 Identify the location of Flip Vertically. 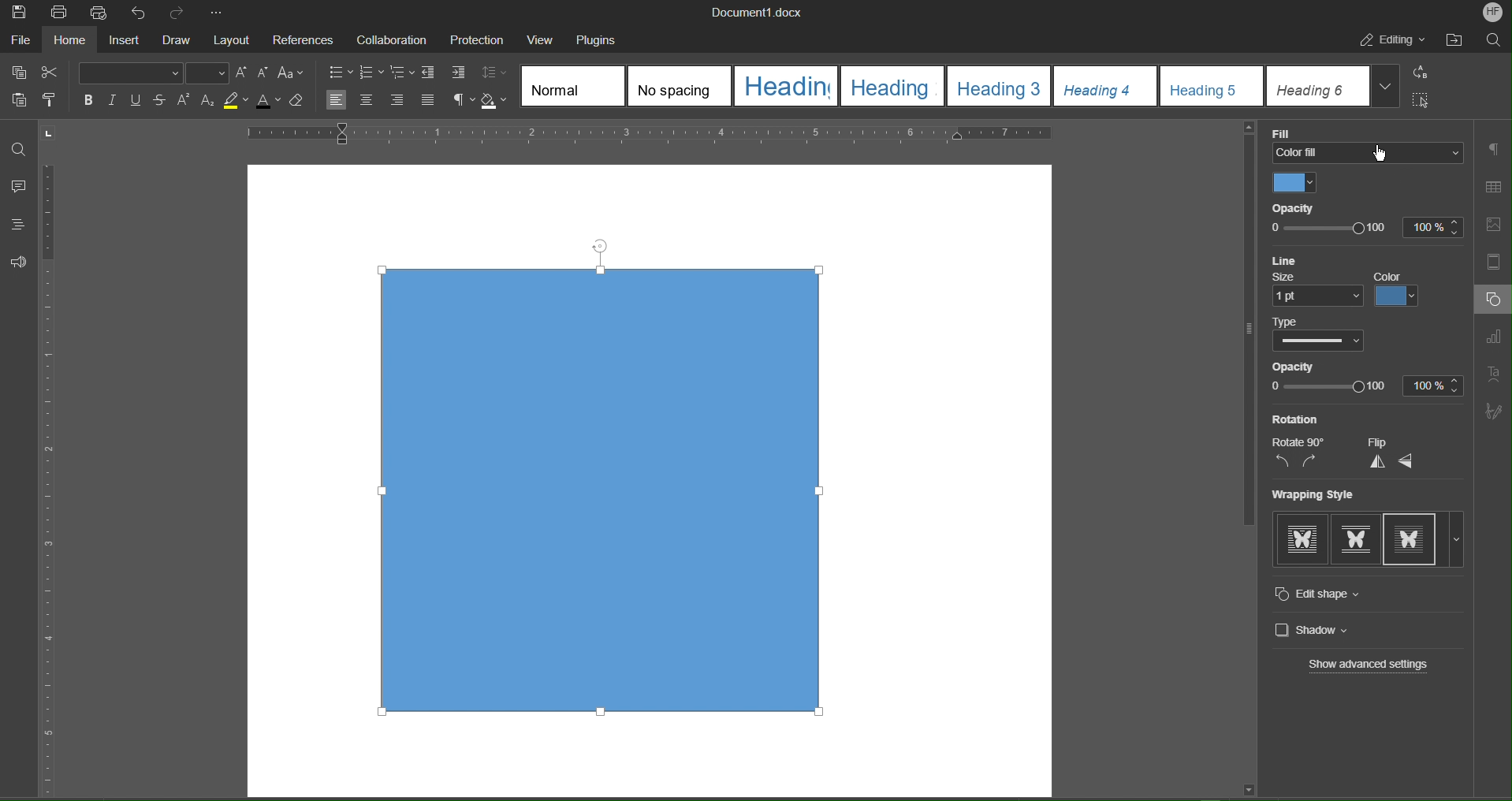
(1377, 463).